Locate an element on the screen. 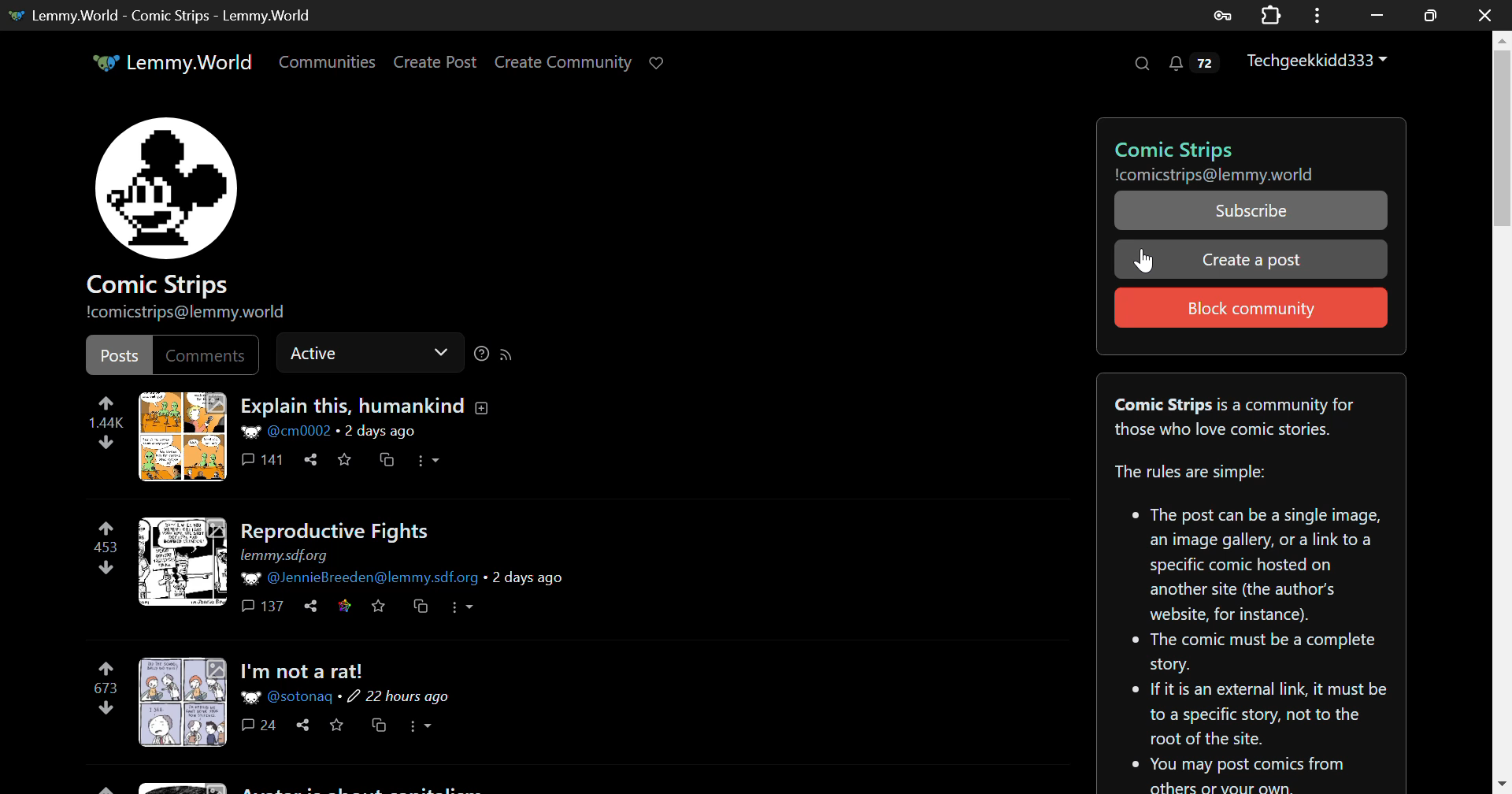  Close Window is located at coordinates (1488, 15).